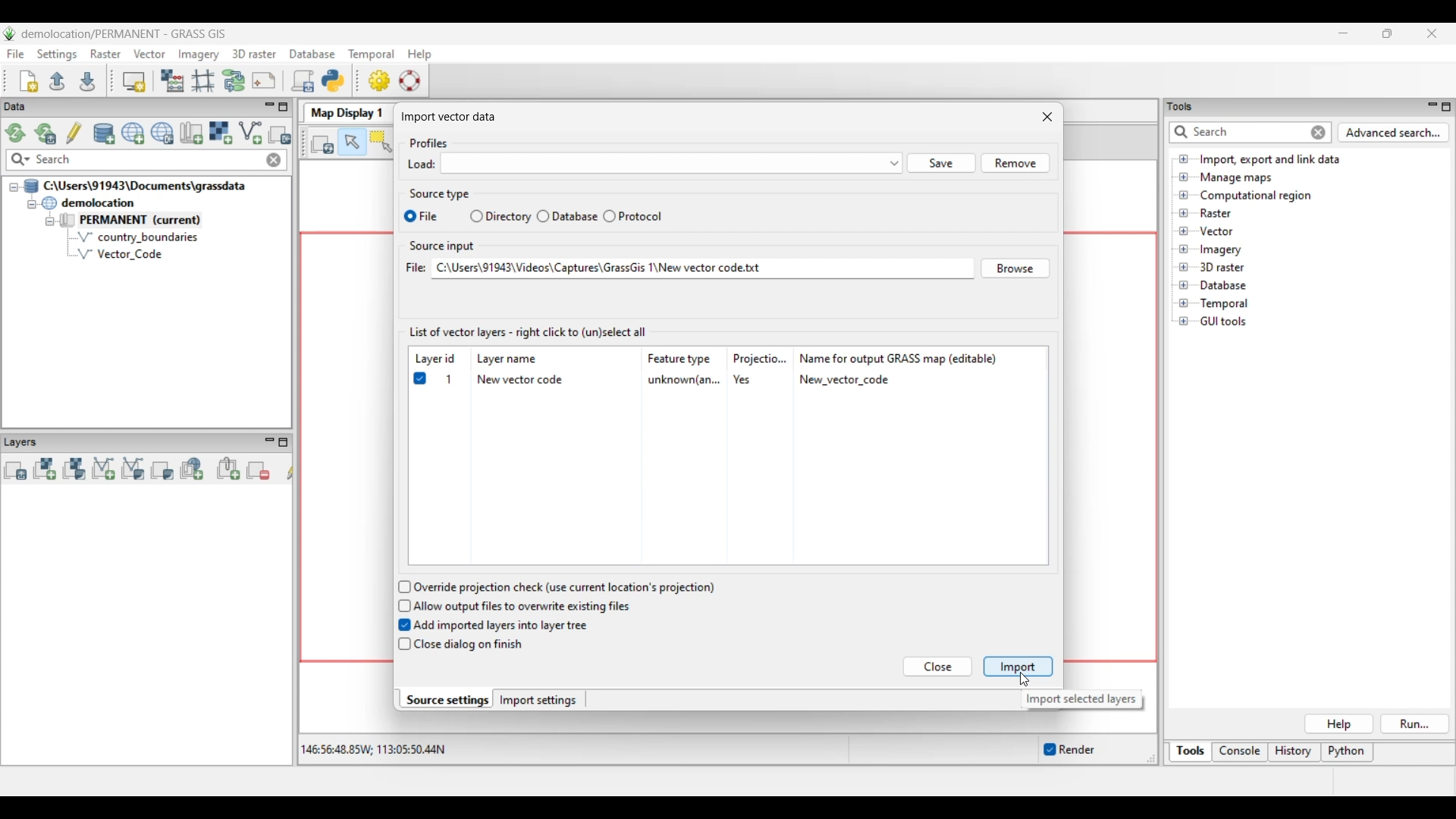 This screenshot has height=819, width=1456. What do you see at coordinates (941, 164) in the screenshot?
I see `Save` at bounding box center [941, 164].